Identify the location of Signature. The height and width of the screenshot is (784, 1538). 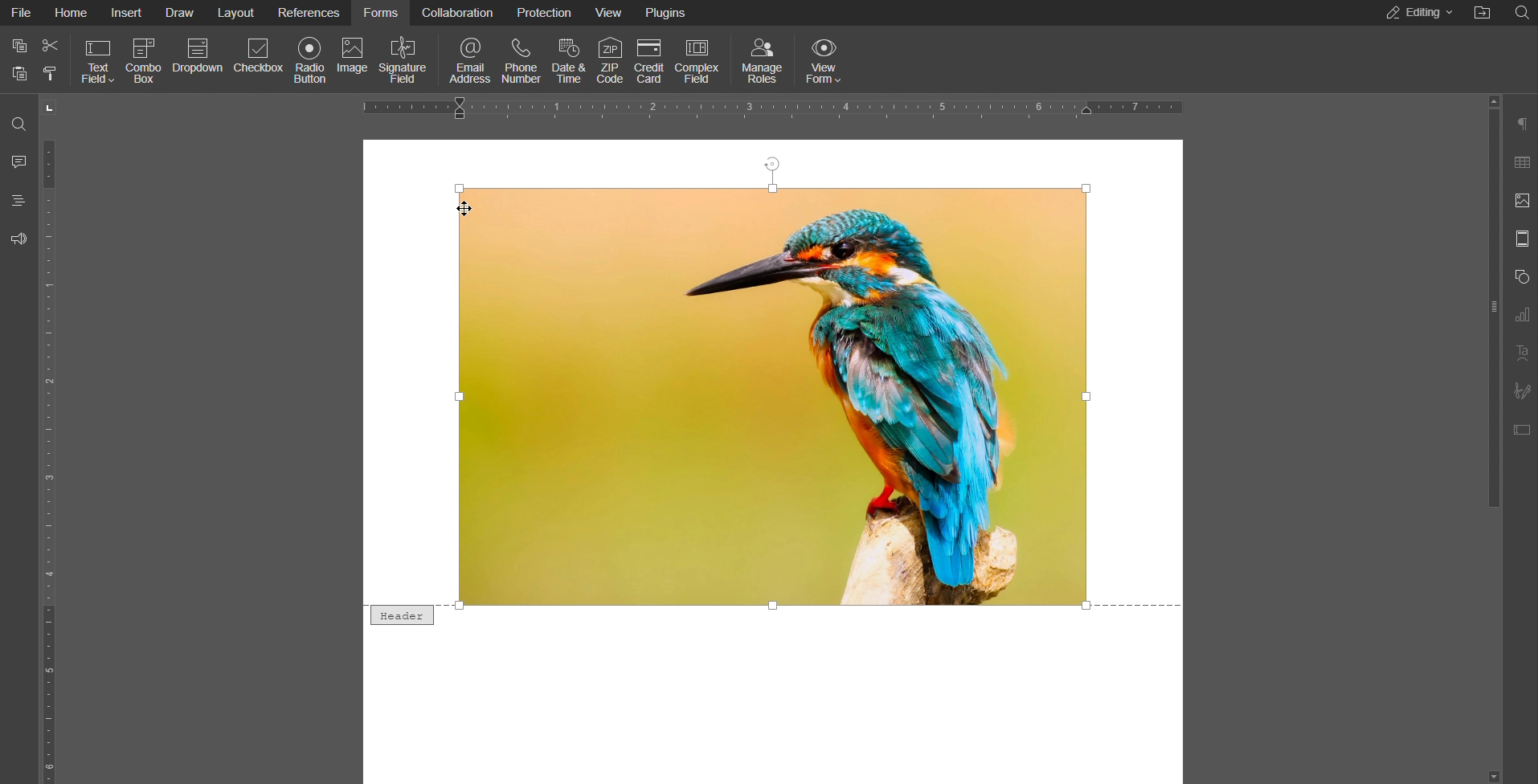
(1520, 390).